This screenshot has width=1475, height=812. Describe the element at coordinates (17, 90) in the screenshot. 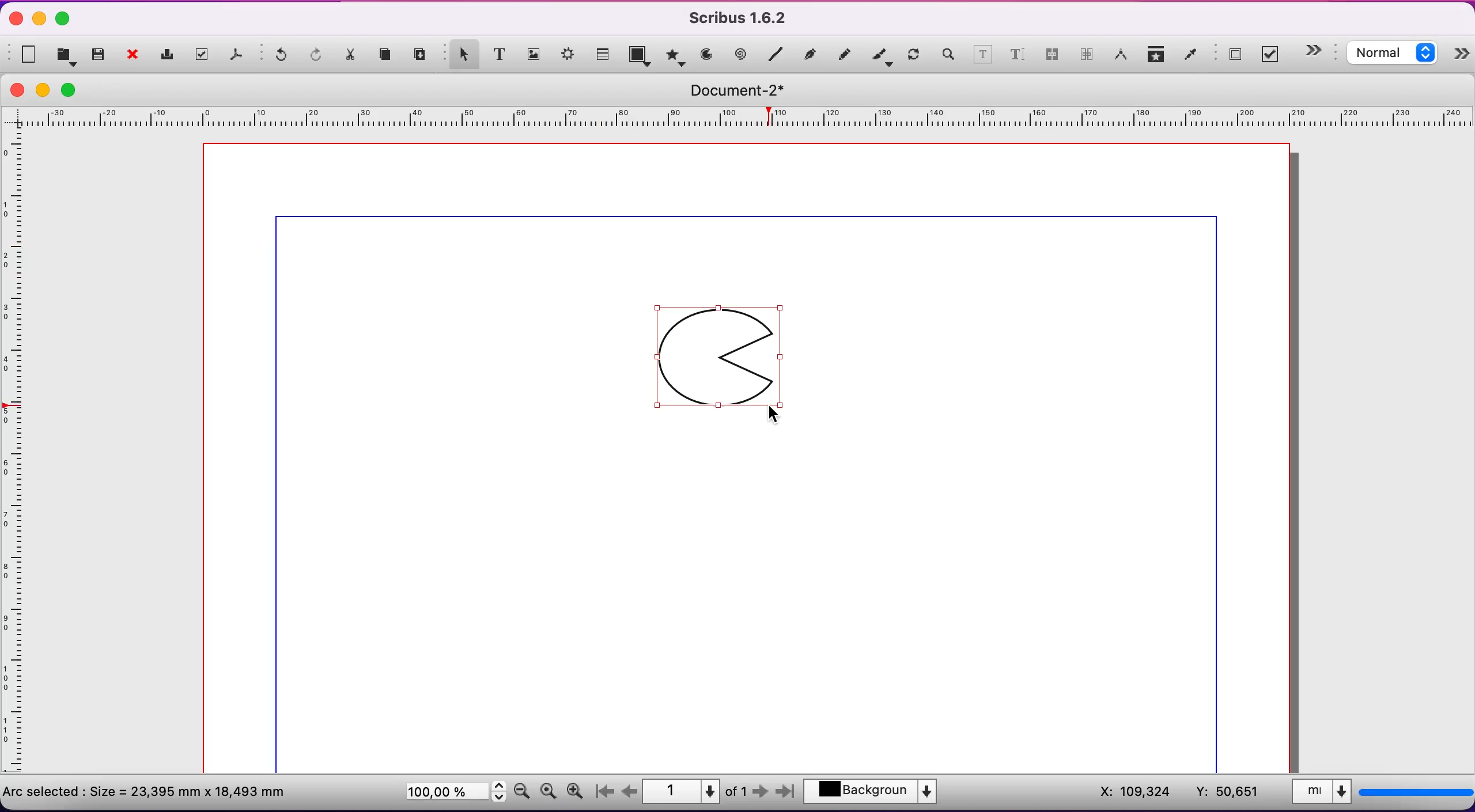

I see `close` at that location.